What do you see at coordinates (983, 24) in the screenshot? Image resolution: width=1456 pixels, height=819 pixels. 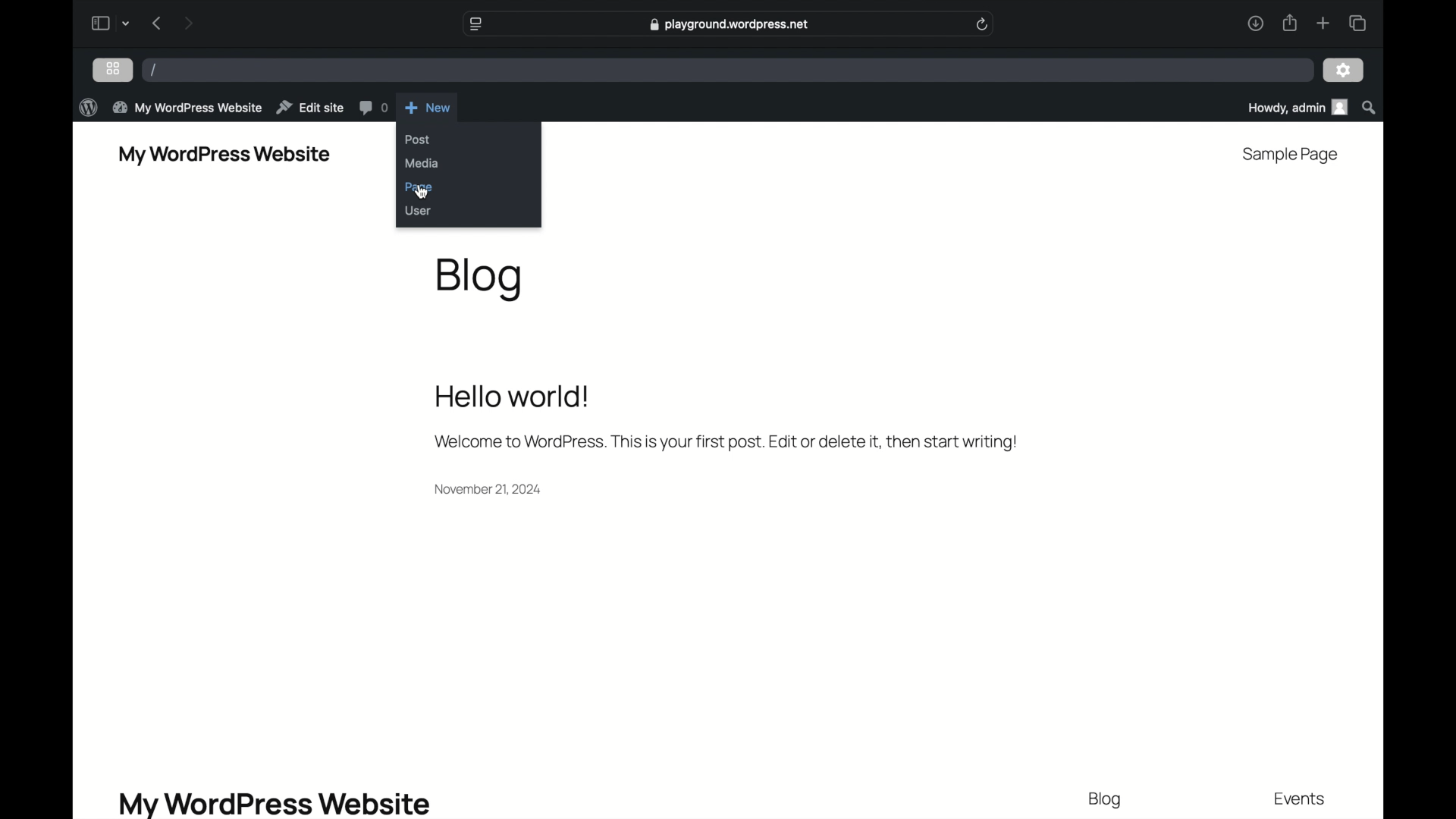 I see `refresh` at bounding box center [983, 24].